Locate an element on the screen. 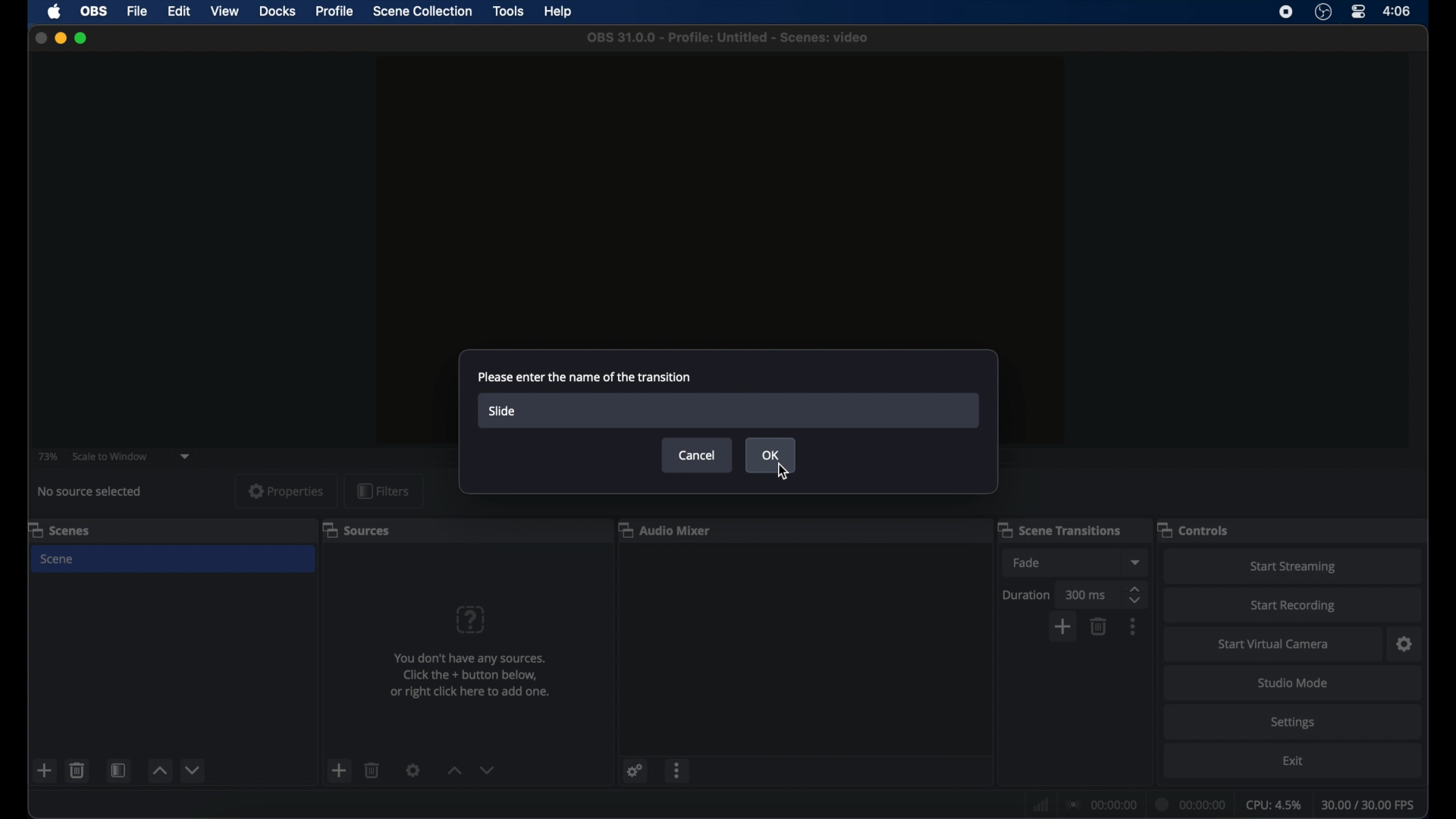 The width and height of the screenshot is (1456, 819). scene is located at coordinates (58, 558).